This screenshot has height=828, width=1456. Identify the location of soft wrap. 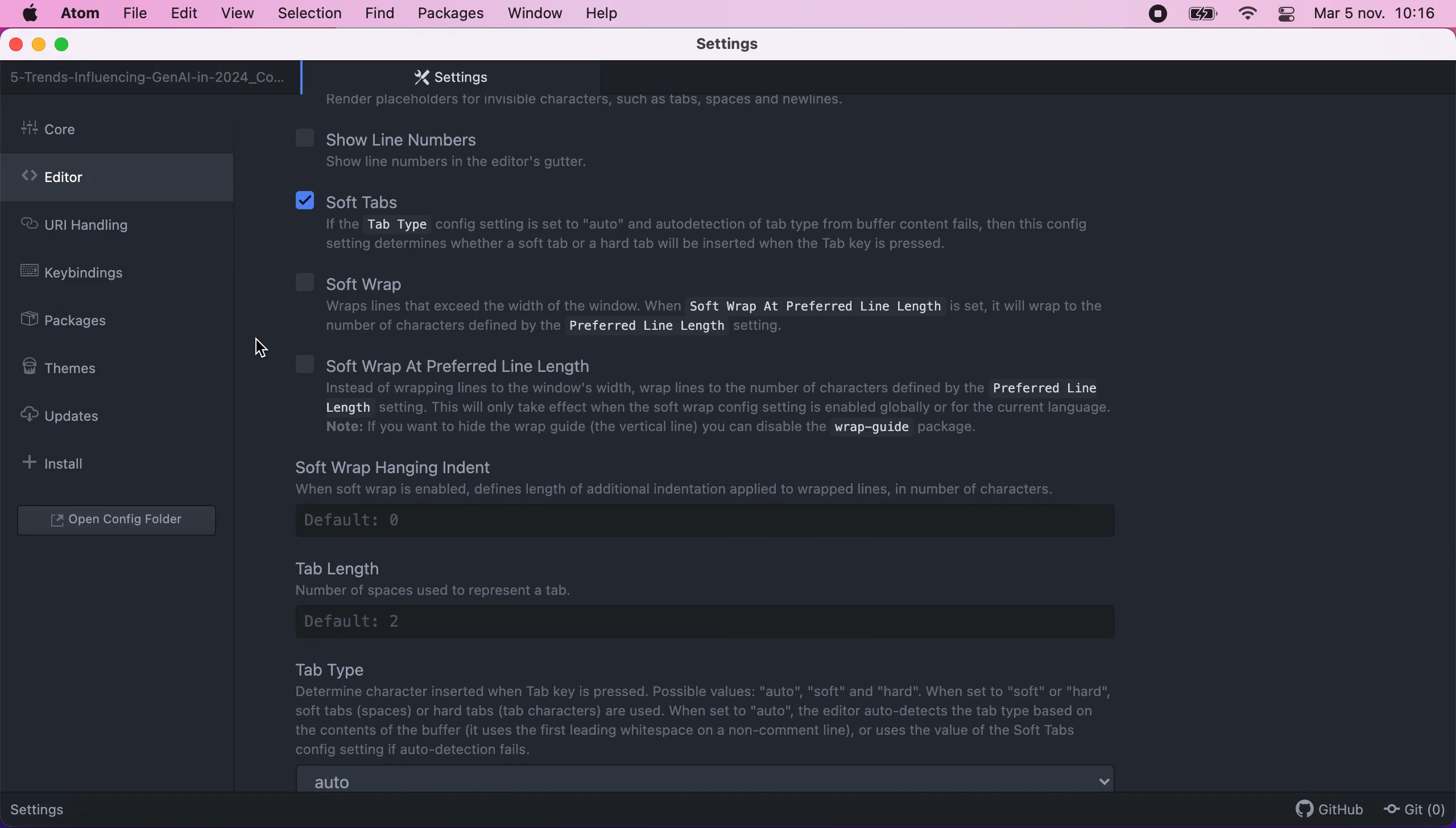
(701, 302).